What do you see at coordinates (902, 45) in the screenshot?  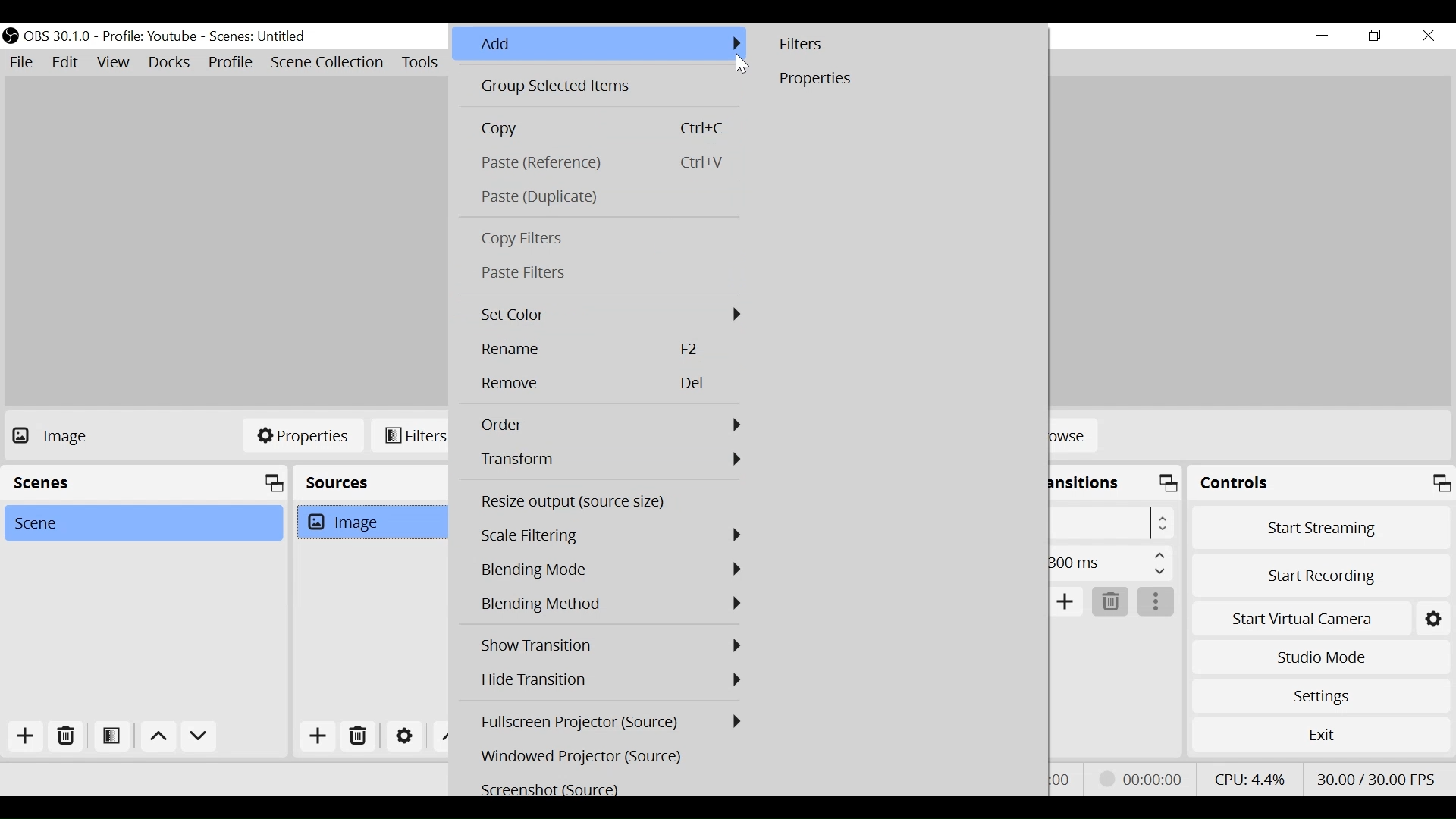 I see `Filters` at bounding box center [902, 45].